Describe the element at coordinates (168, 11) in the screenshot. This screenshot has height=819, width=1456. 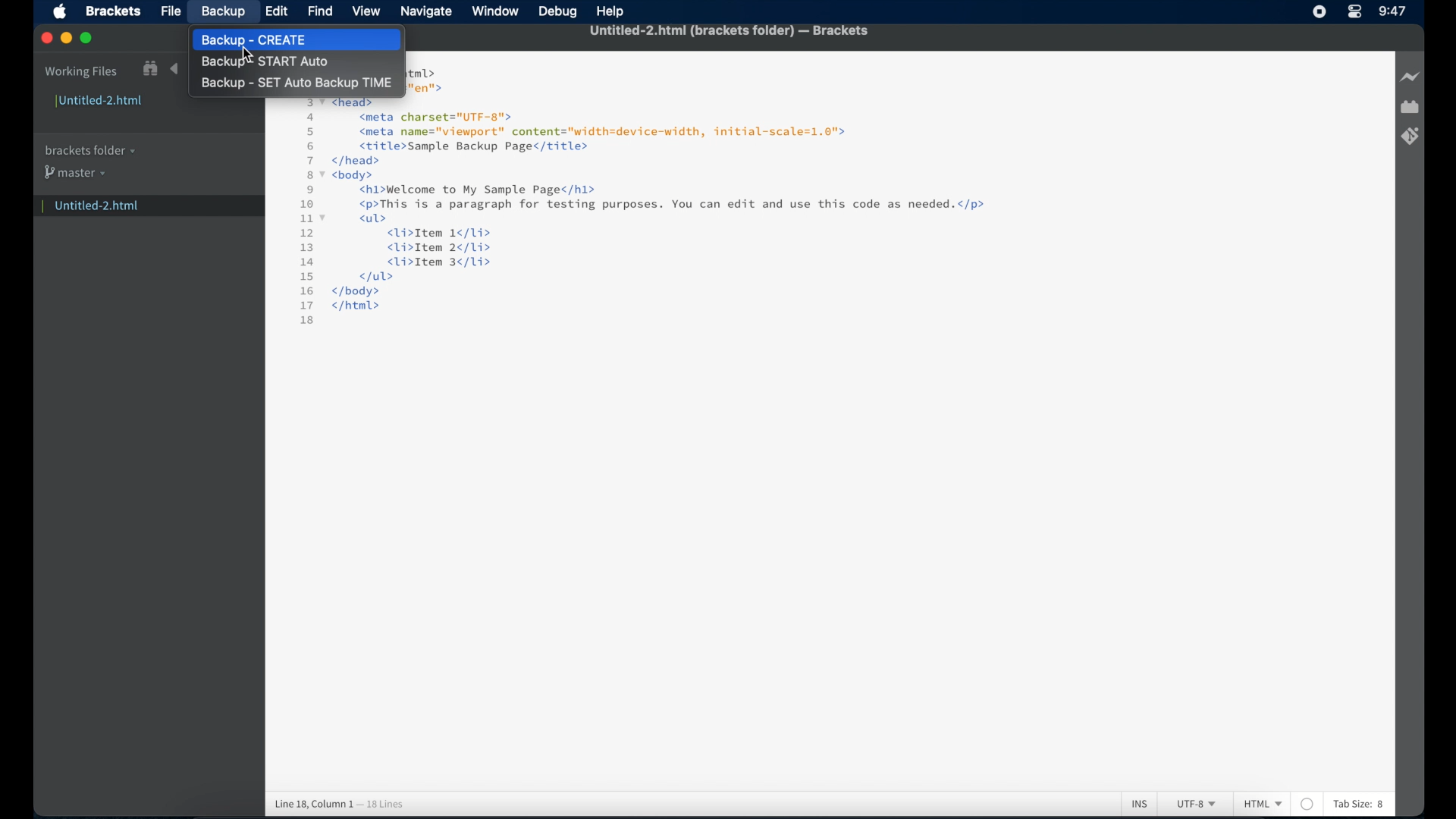
I see `File` at that location.